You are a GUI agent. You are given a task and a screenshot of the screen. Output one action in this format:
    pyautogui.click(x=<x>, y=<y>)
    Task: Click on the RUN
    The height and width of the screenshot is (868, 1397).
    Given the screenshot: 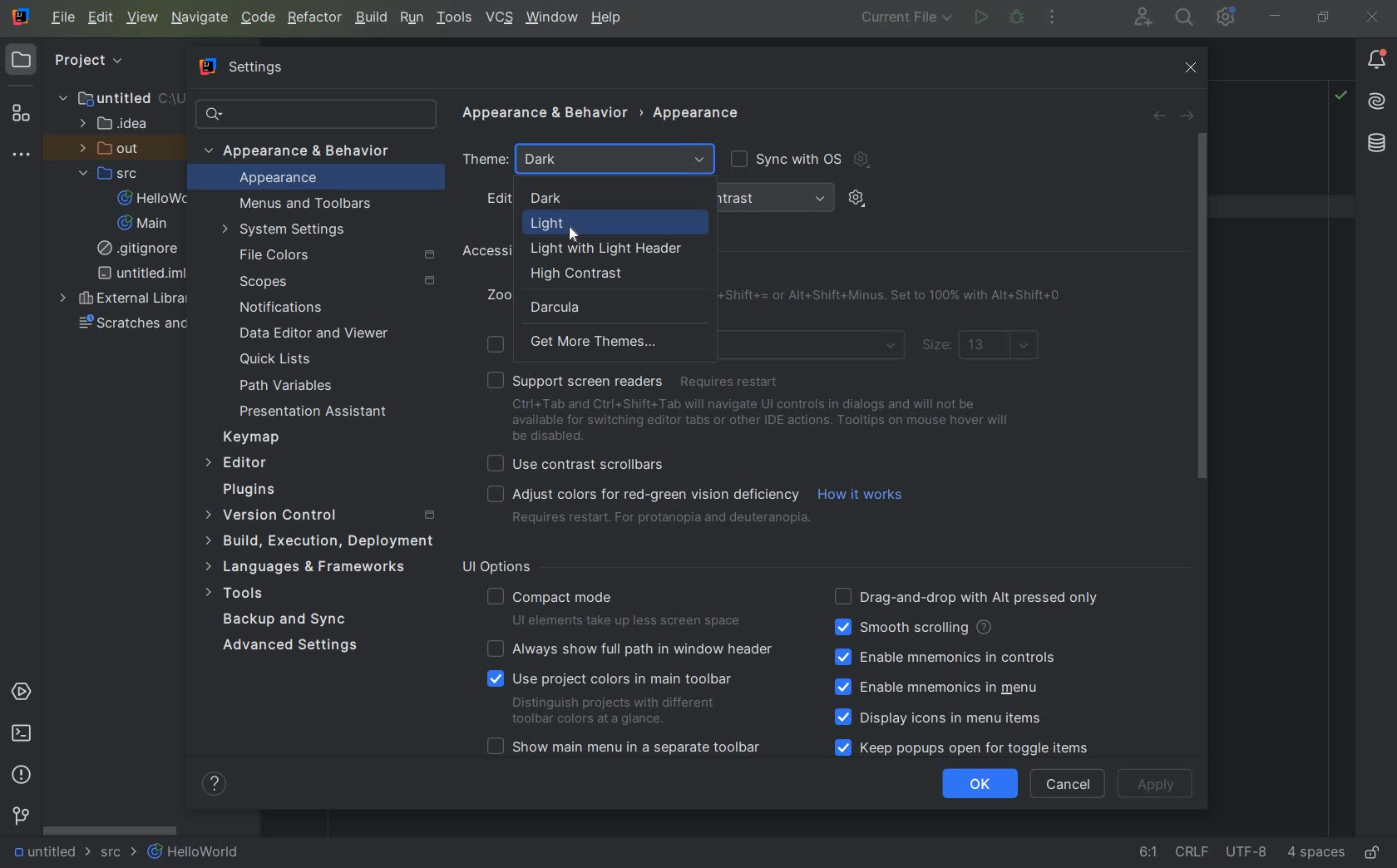 What is the action you would take?
    pyautogui.click(x=979, y=18)
    